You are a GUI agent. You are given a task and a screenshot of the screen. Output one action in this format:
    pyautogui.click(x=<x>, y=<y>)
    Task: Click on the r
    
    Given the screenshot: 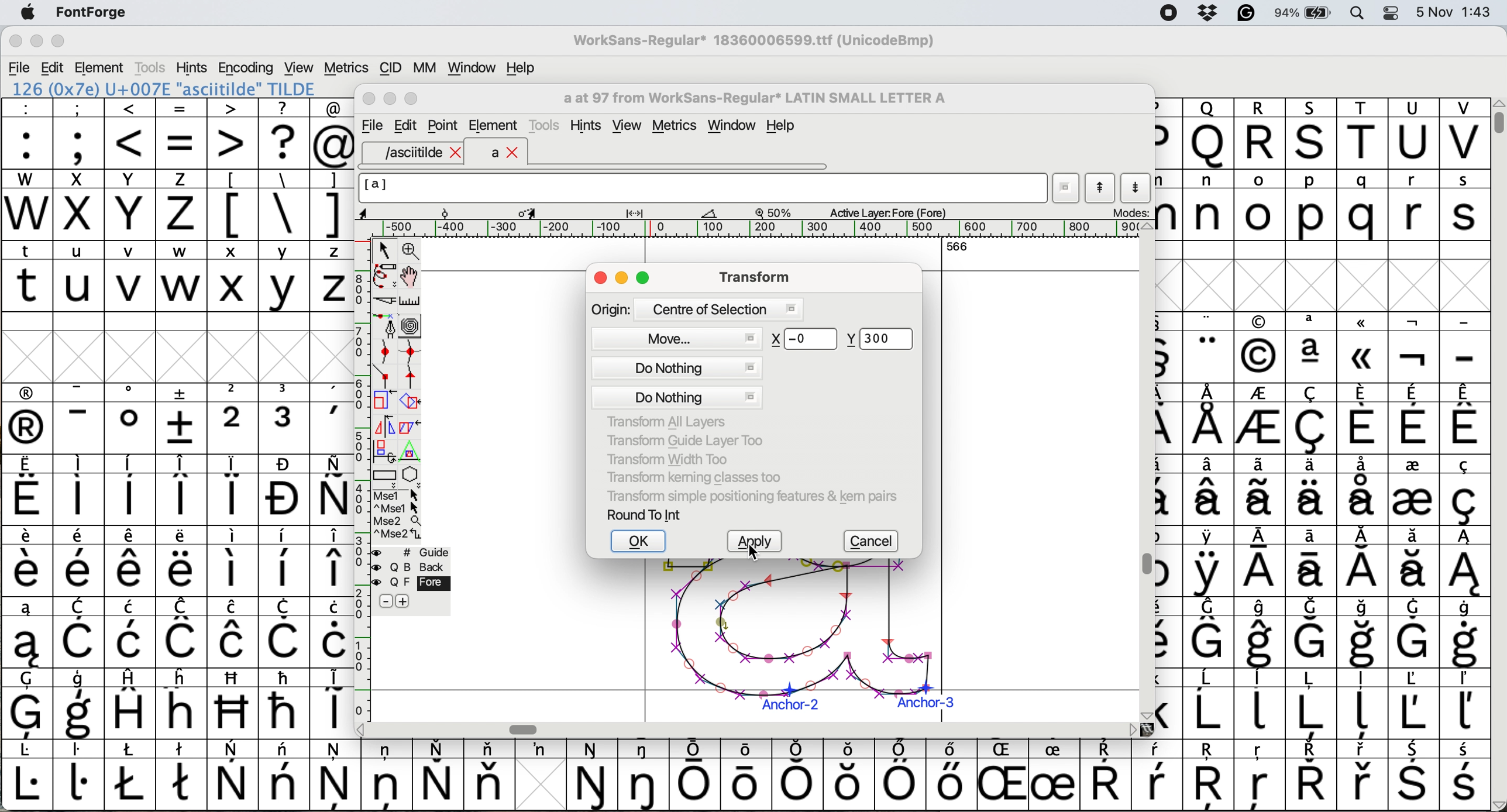 What is the action you would take?
    pyautogui.click(x=1412, y=205)
    